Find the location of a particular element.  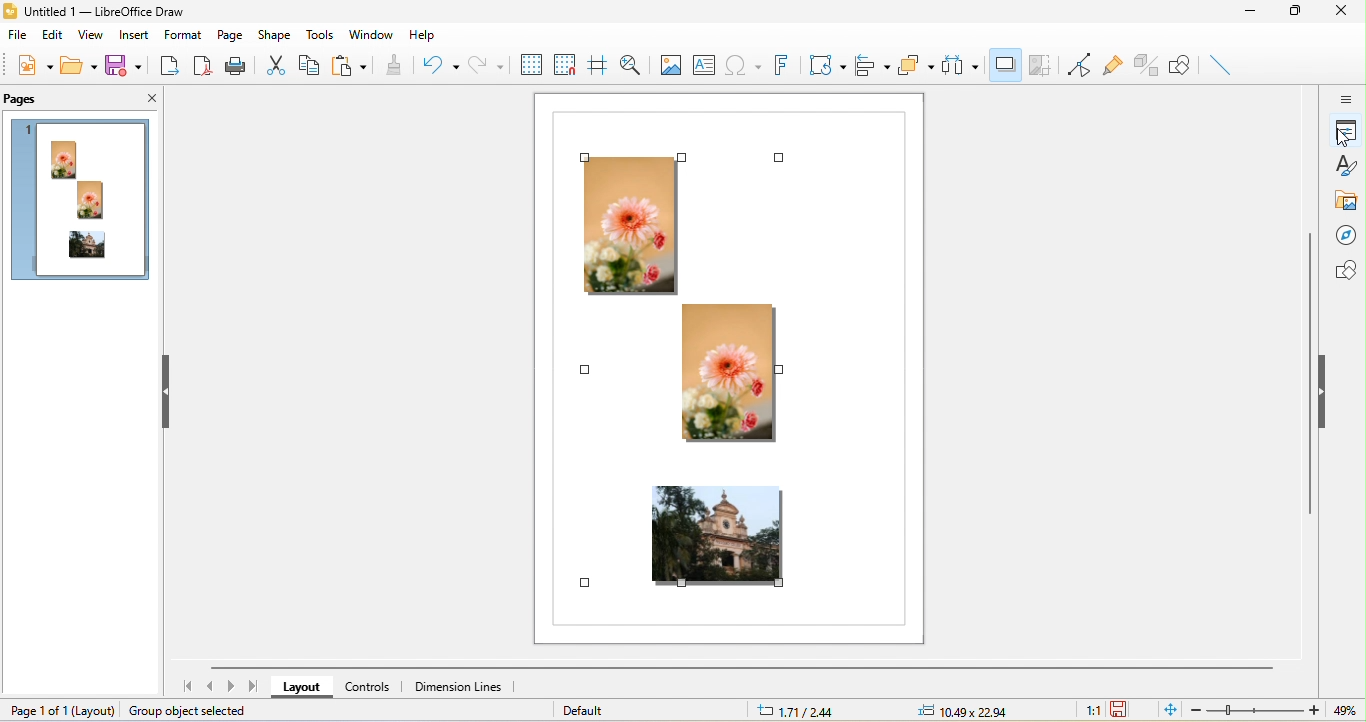

cursor is located at coordinates (1343, 138).